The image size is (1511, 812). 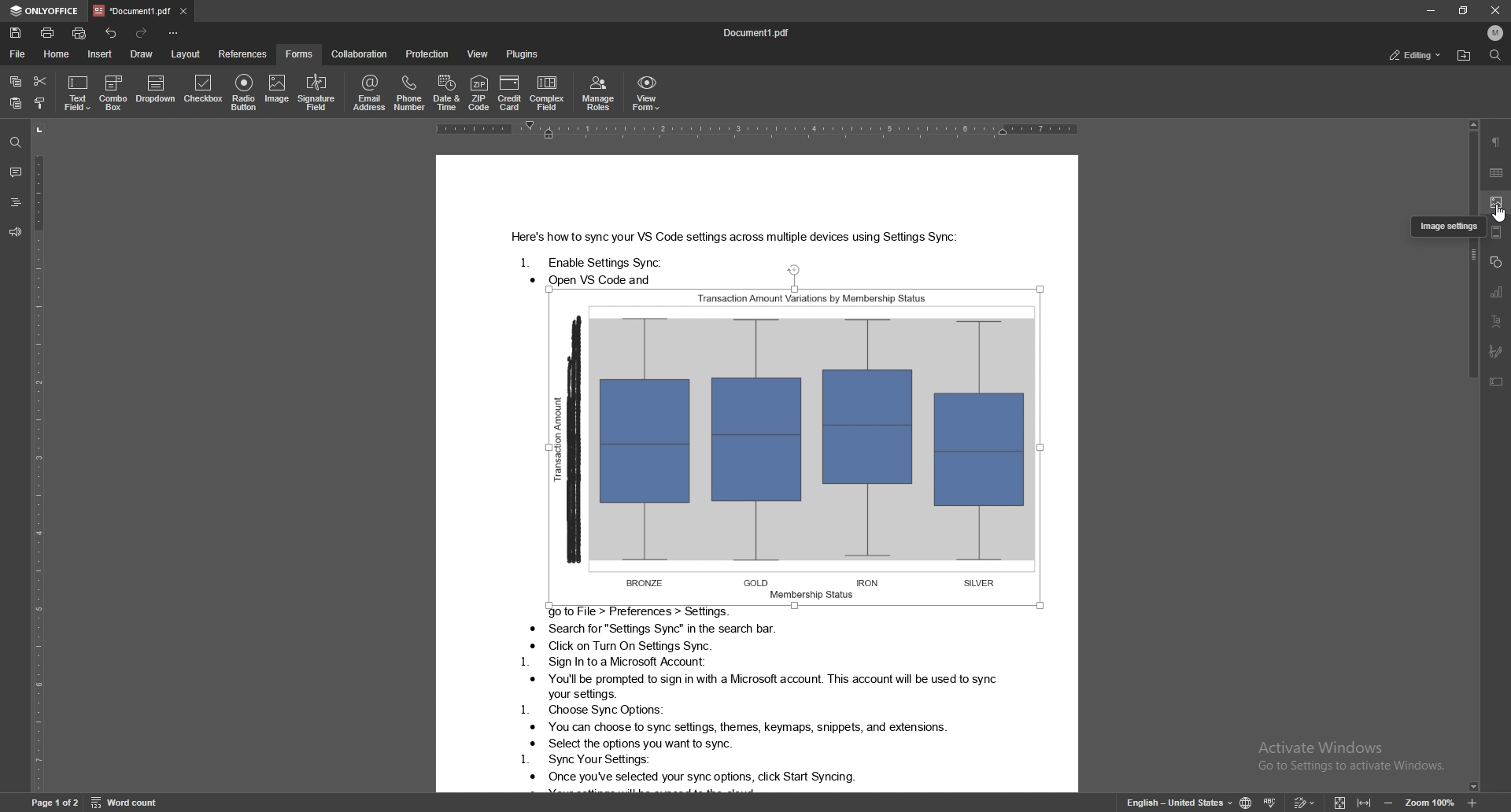 What do you see at coordinates (14, 203) in the screenshot?
I see `headings` at bounding box center [14, 203].